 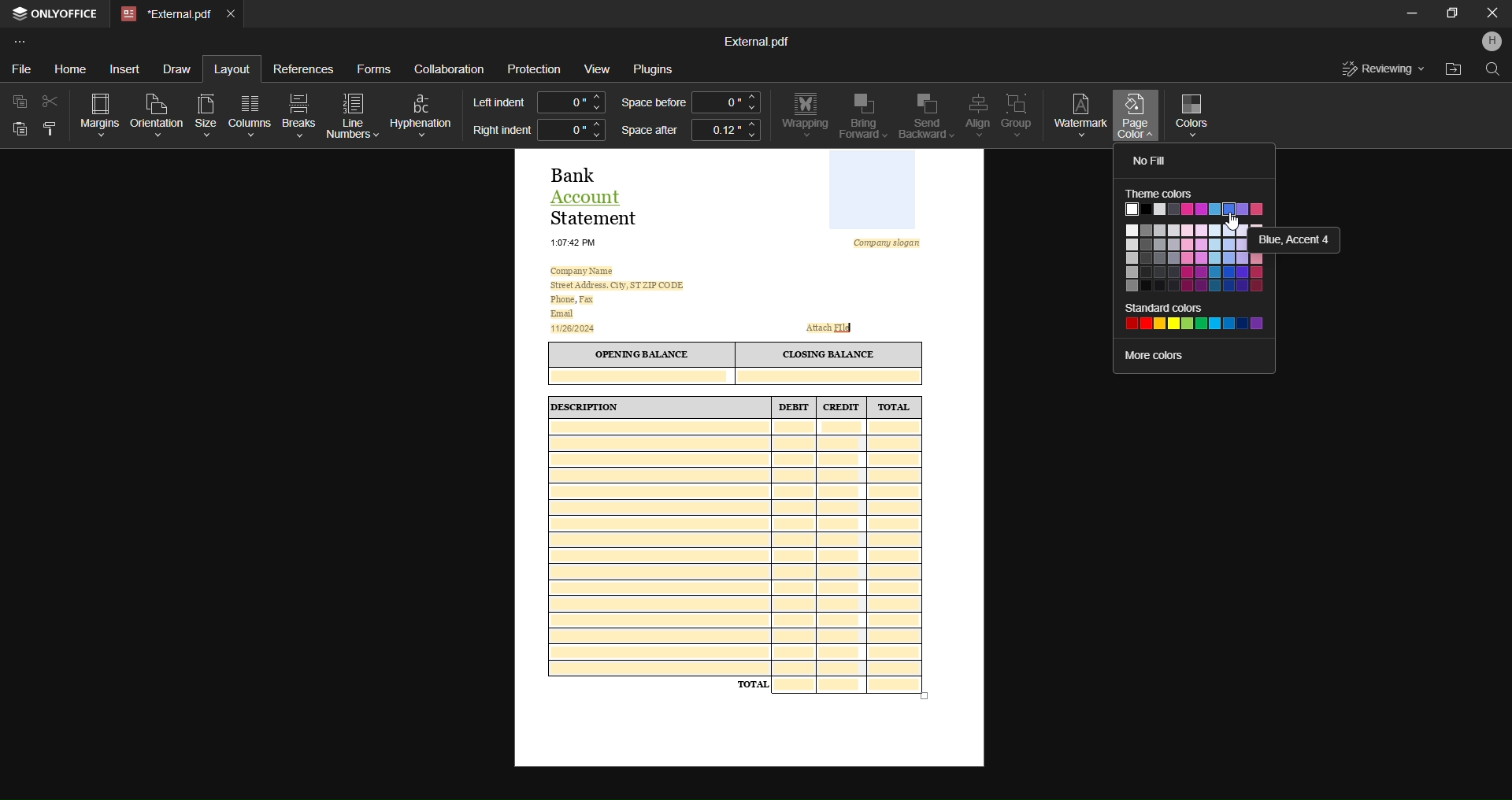 I want to click on Wrapping, so click(x=804, y=116).